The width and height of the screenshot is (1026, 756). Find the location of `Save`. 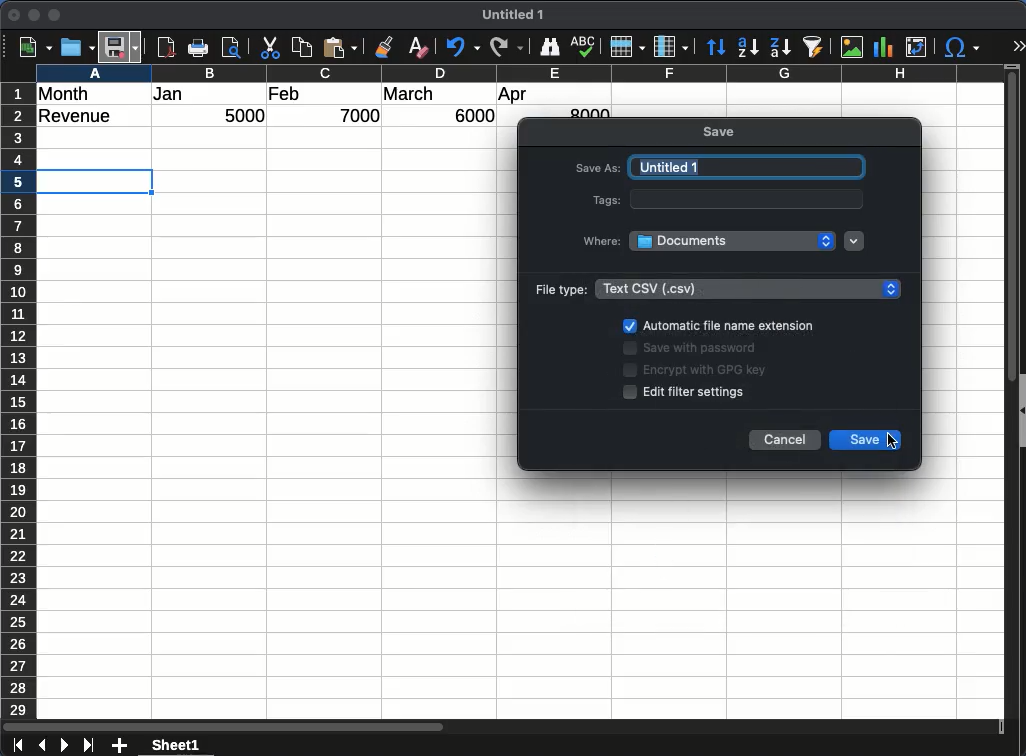

Save is located at coordinates (121, 46).